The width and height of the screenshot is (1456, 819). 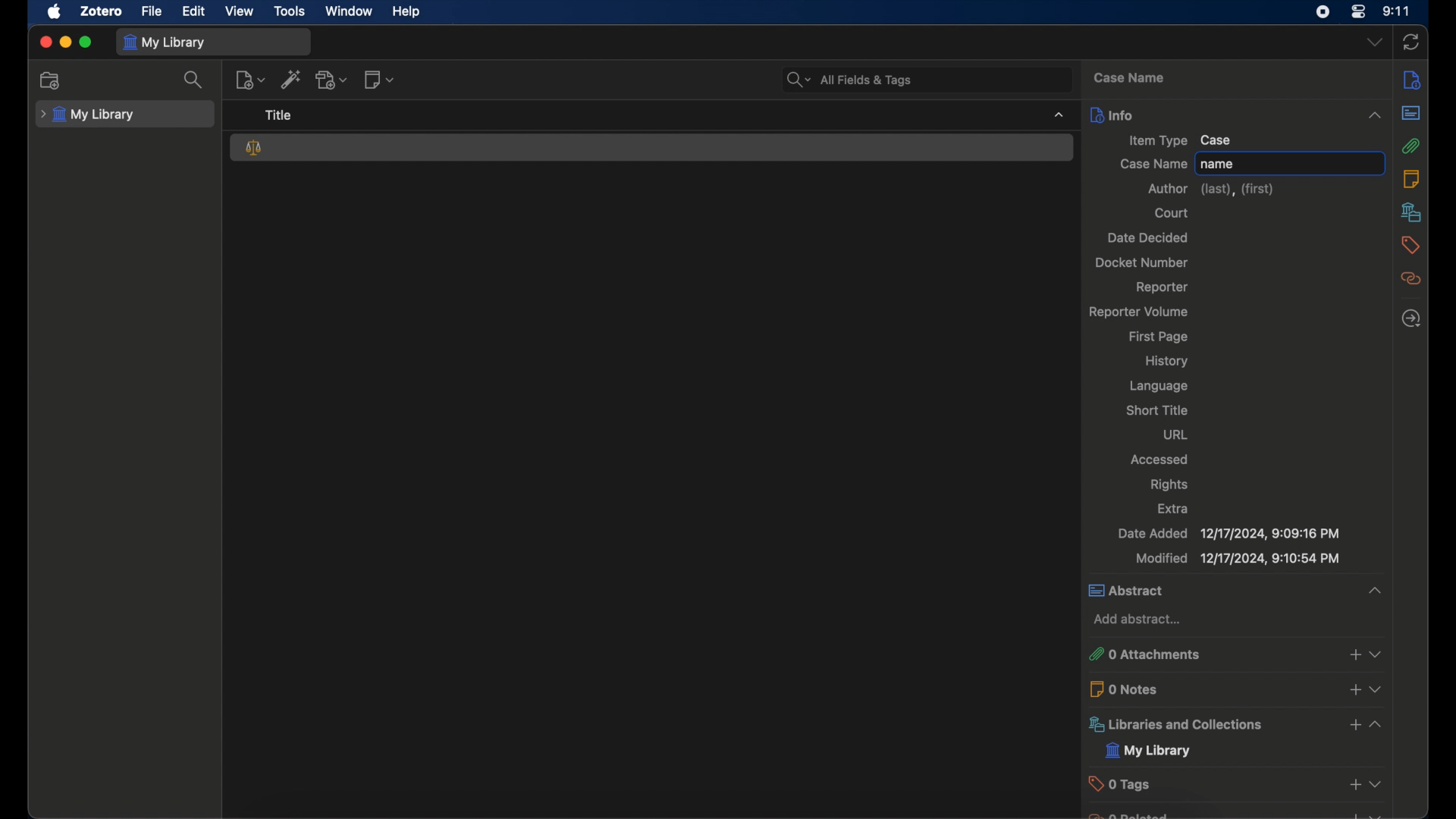 What do you see at coordinates (1412, 278) in the screenshot?
I see `related` at bounding box center [1412, 278].